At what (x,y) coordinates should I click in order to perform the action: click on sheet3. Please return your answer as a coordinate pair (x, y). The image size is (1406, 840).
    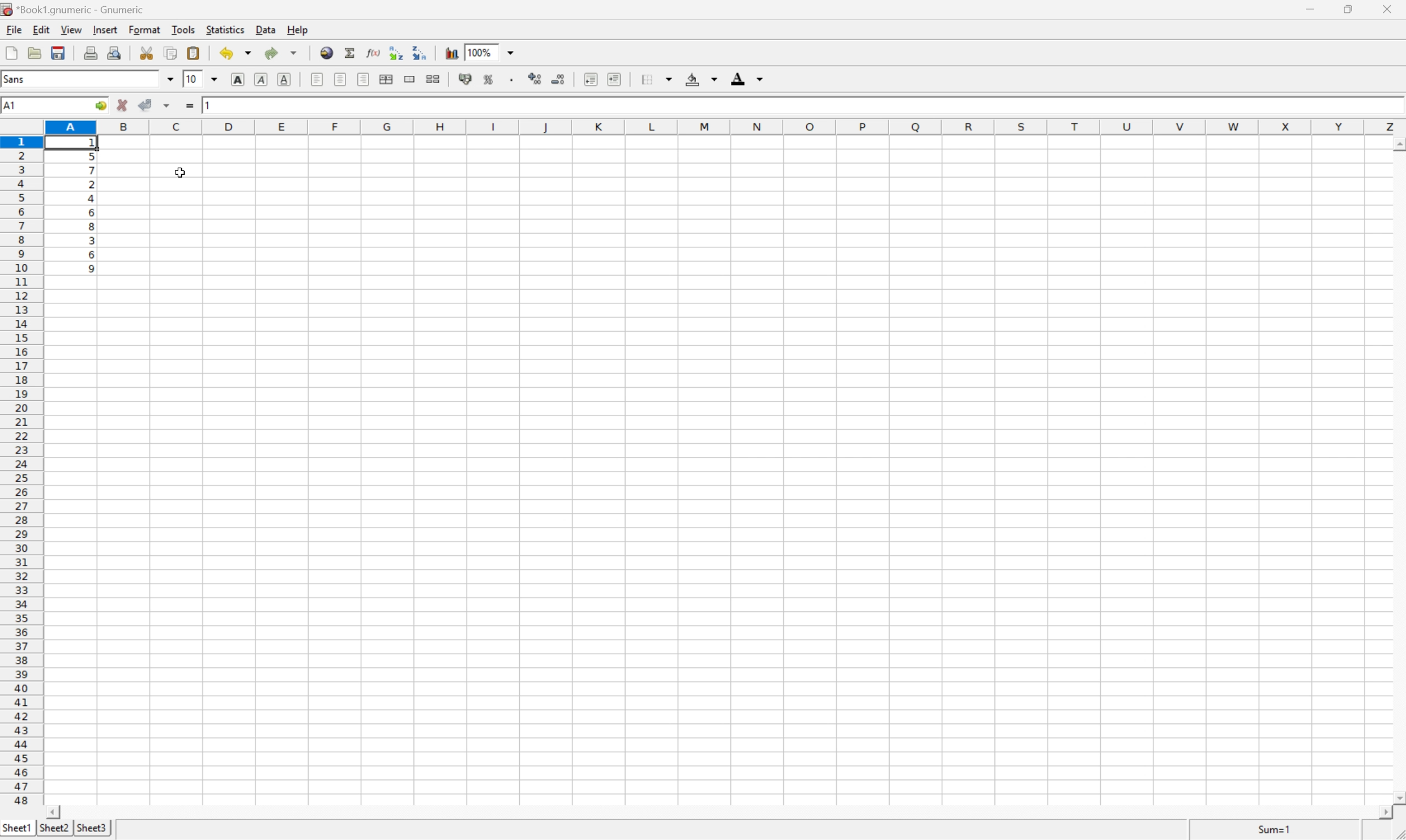
    Looking at the image, I should click on (92, 826).